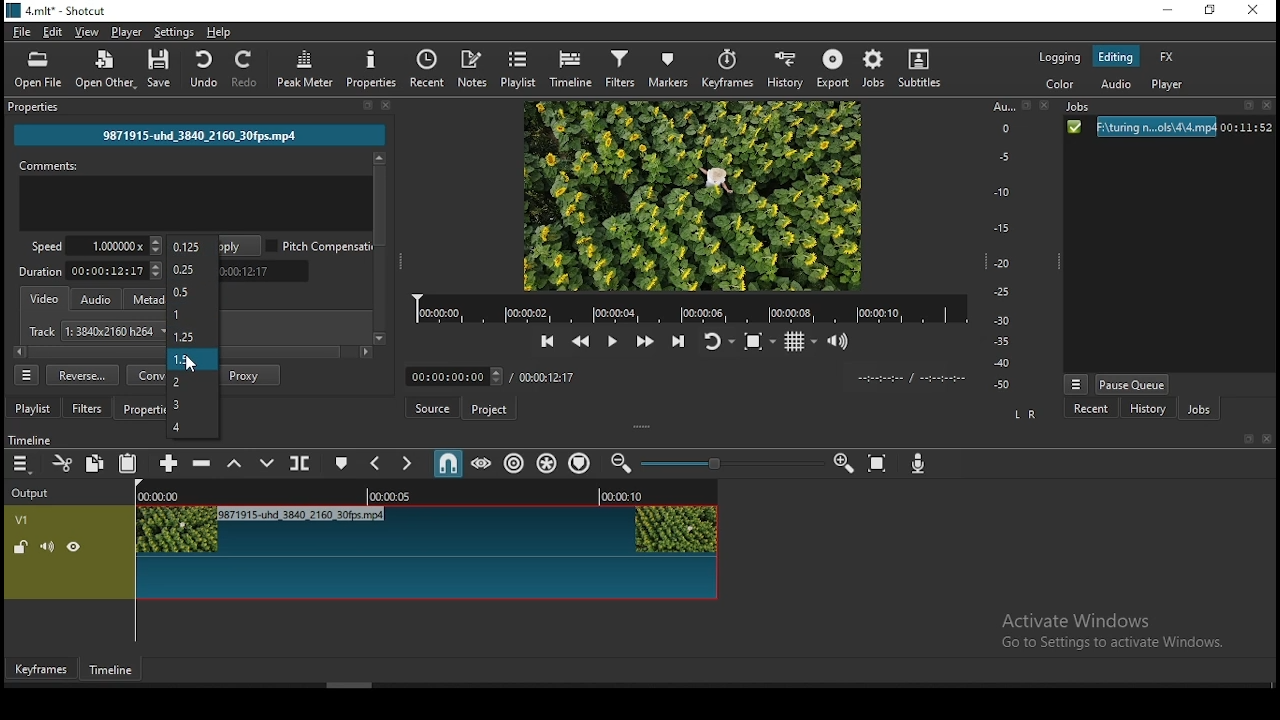 This screenshot has width=1280, height=720. Describe the element at coordinates (195, 363) in the screenshot. I see `cursor` at that location.